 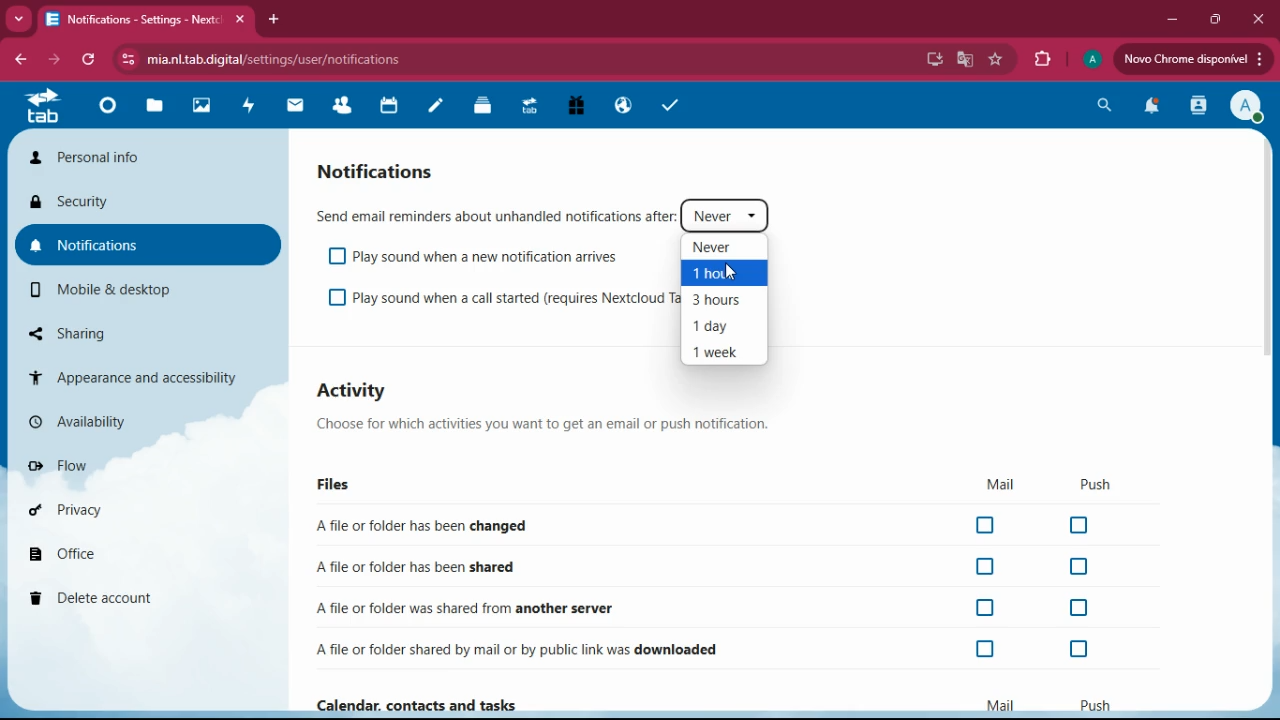 I want to click on activity, so click(x=360, y=393).